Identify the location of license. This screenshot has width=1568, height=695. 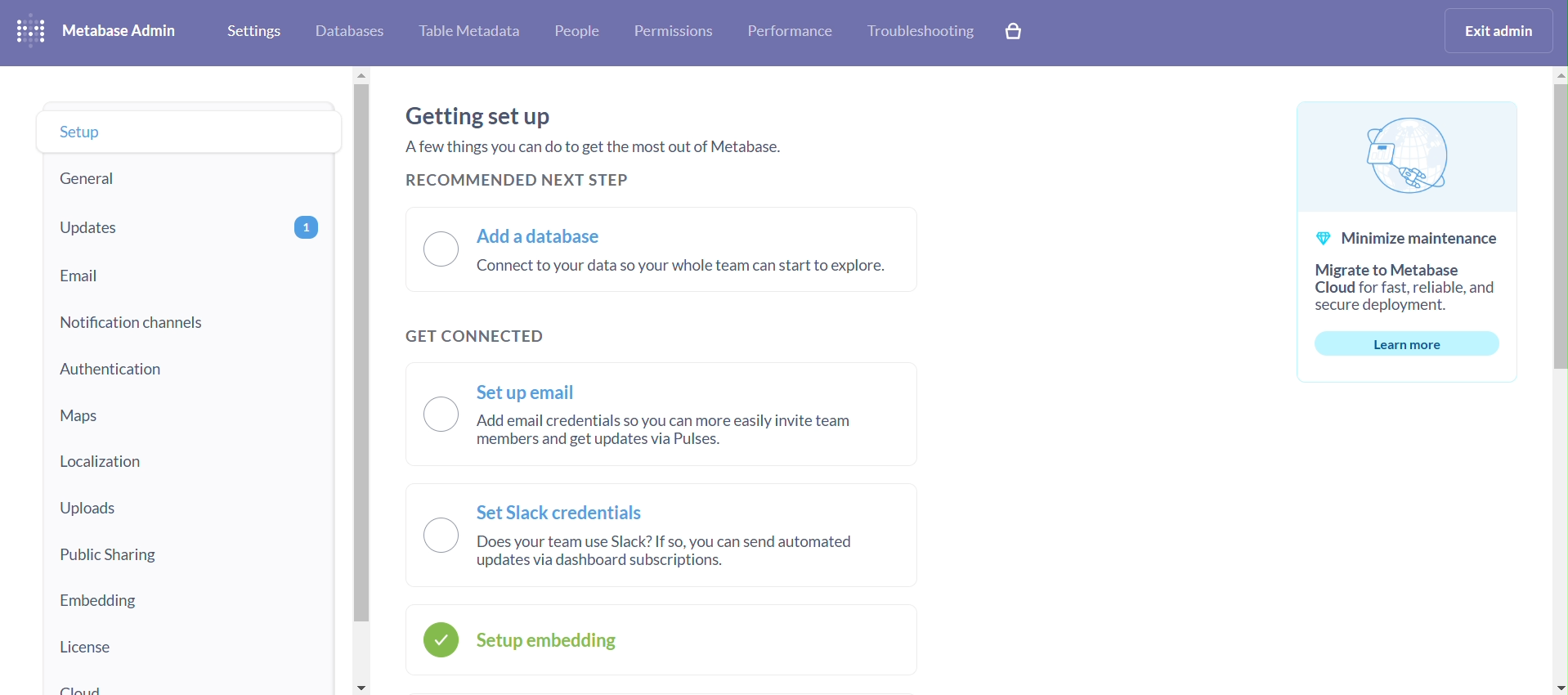
(190, 646).